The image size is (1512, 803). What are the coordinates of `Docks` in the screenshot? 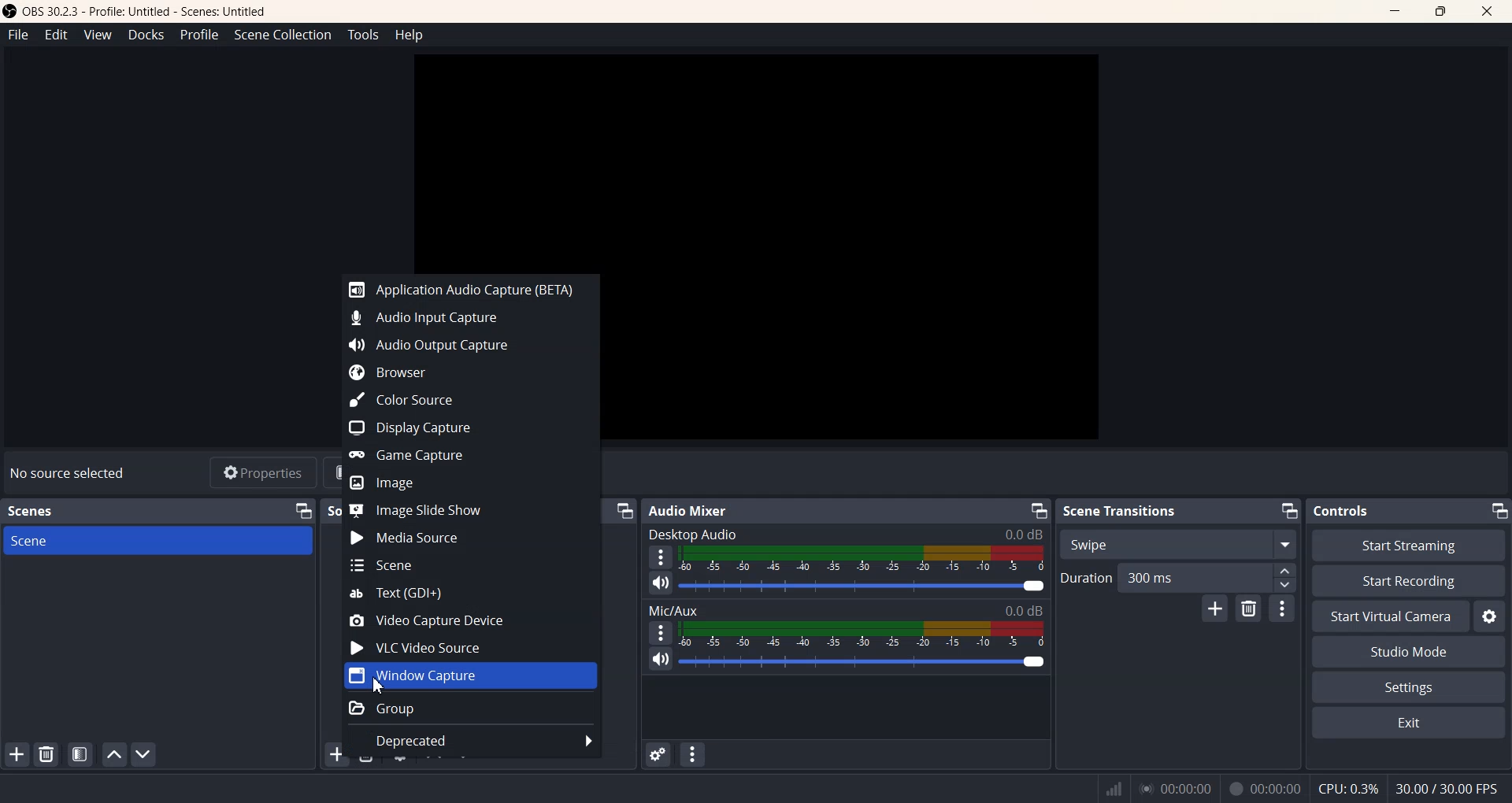 It's located at (146, 35).